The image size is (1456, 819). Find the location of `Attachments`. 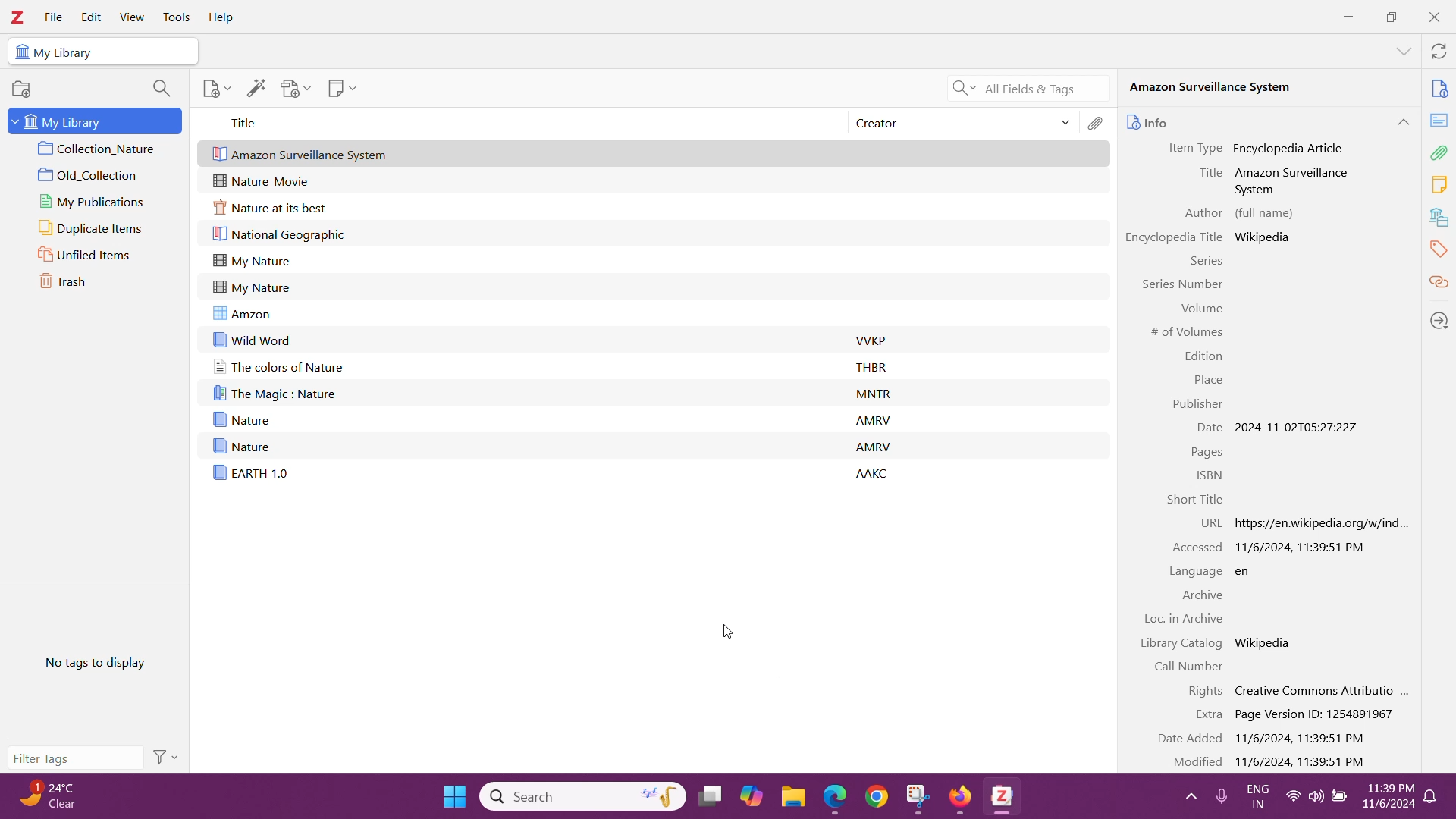

Attachments is located at coordinates (1097, 126).